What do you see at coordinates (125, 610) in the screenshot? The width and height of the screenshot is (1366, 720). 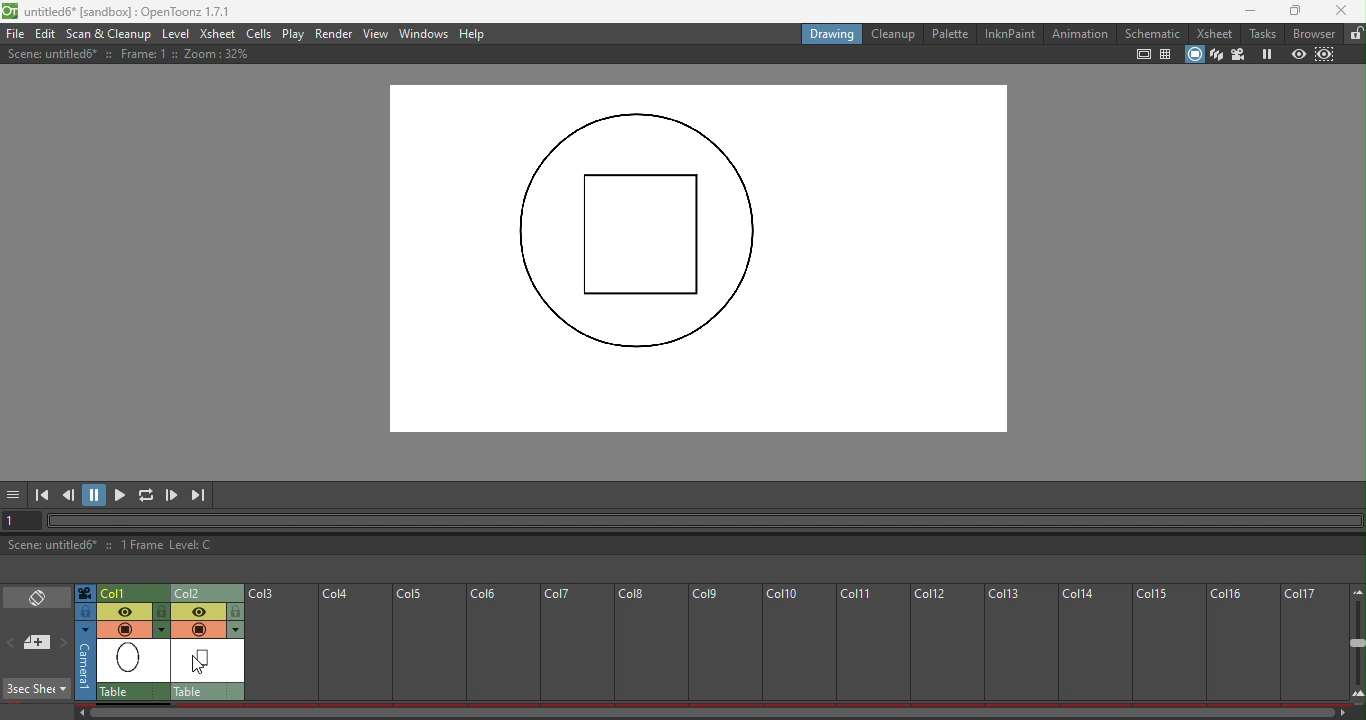 I see `Preview visibility toggle` at bounding box center [125, 610].